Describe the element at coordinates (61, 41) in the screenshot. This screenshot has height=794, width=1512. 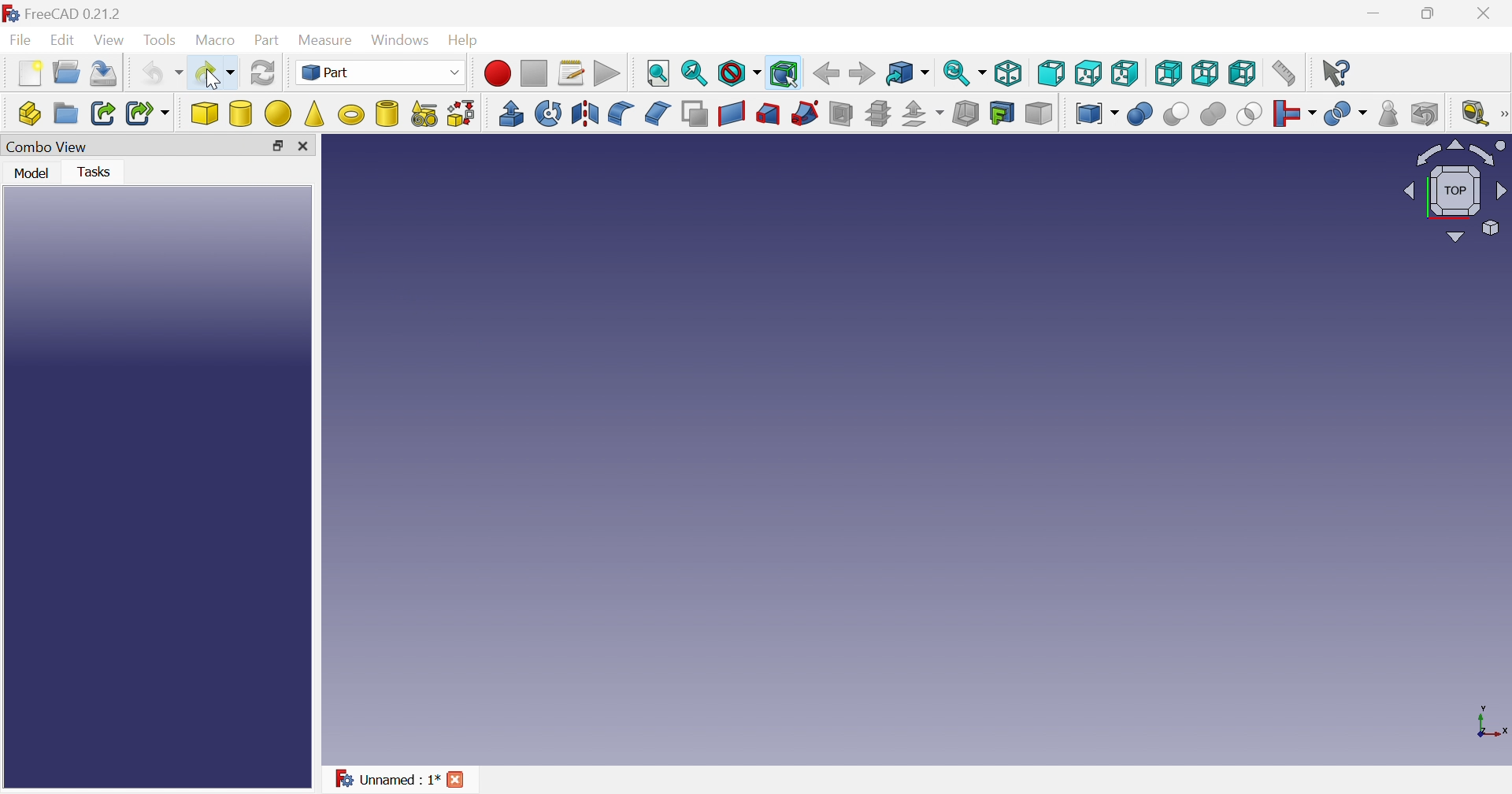
I see `Edit` at that location.